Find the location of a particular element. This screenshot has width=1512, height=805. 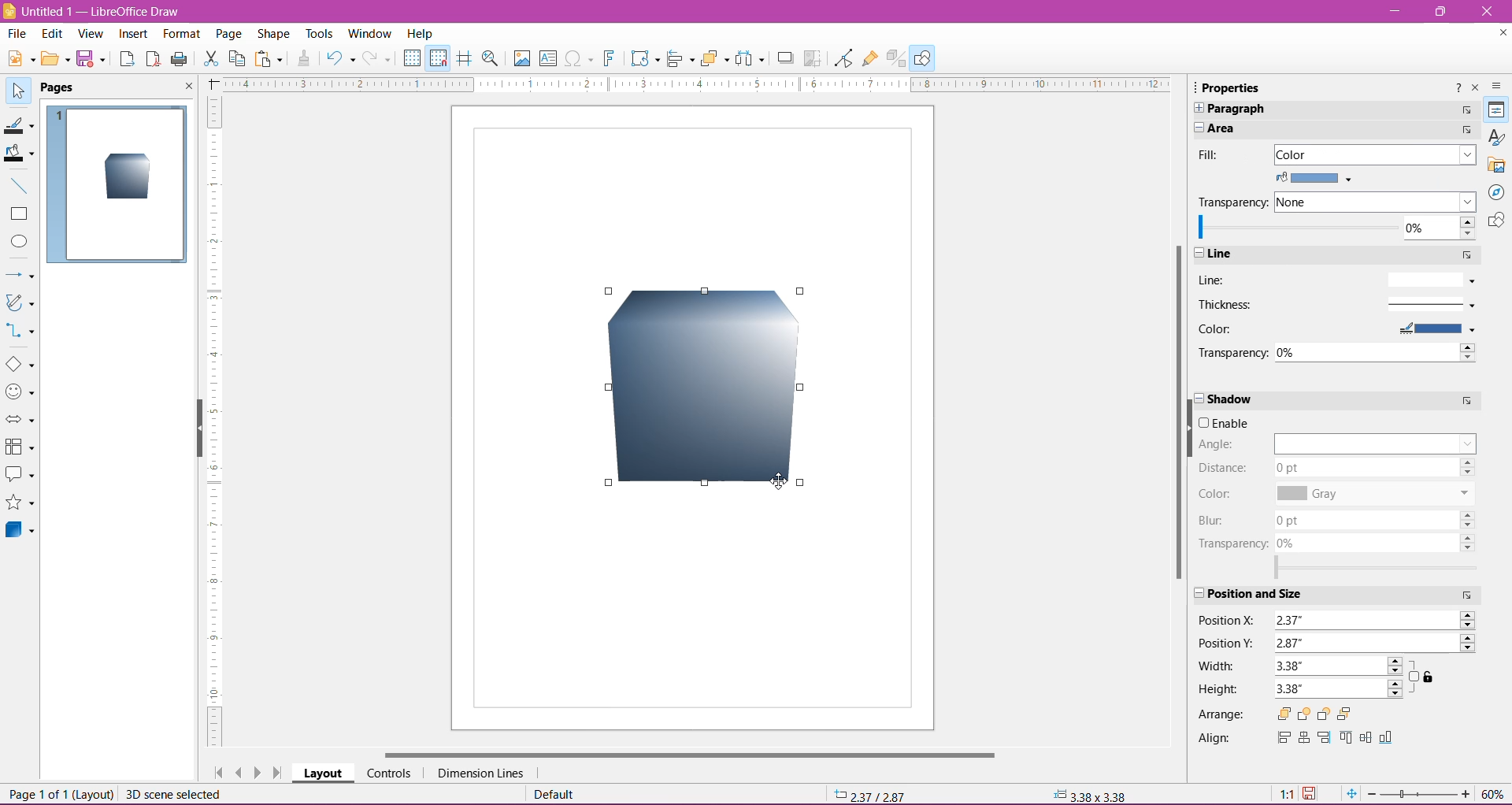

Select the fill type to apply is located at coordinates (1375, 154).